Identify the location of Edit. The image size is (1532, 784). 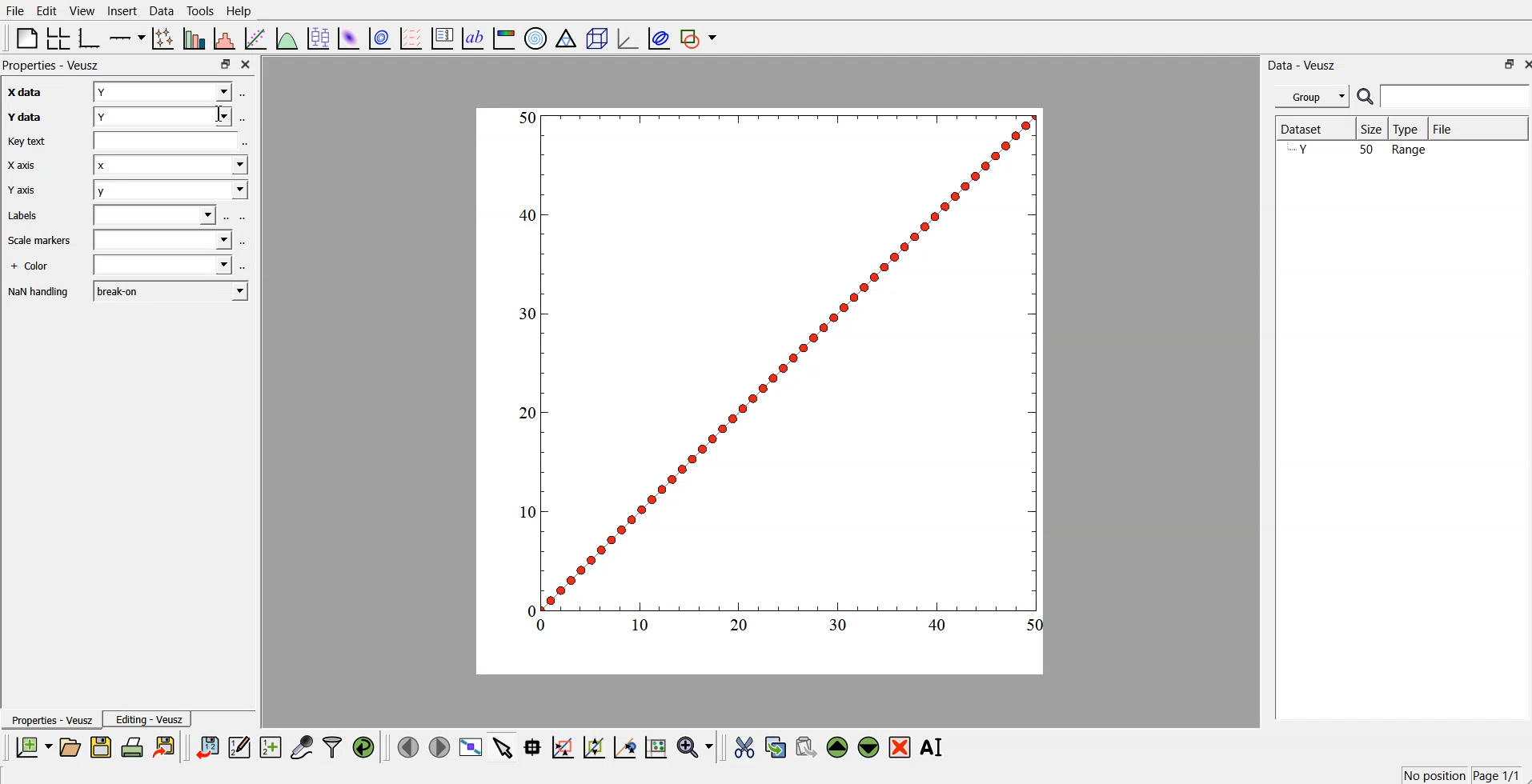
(46, 10).